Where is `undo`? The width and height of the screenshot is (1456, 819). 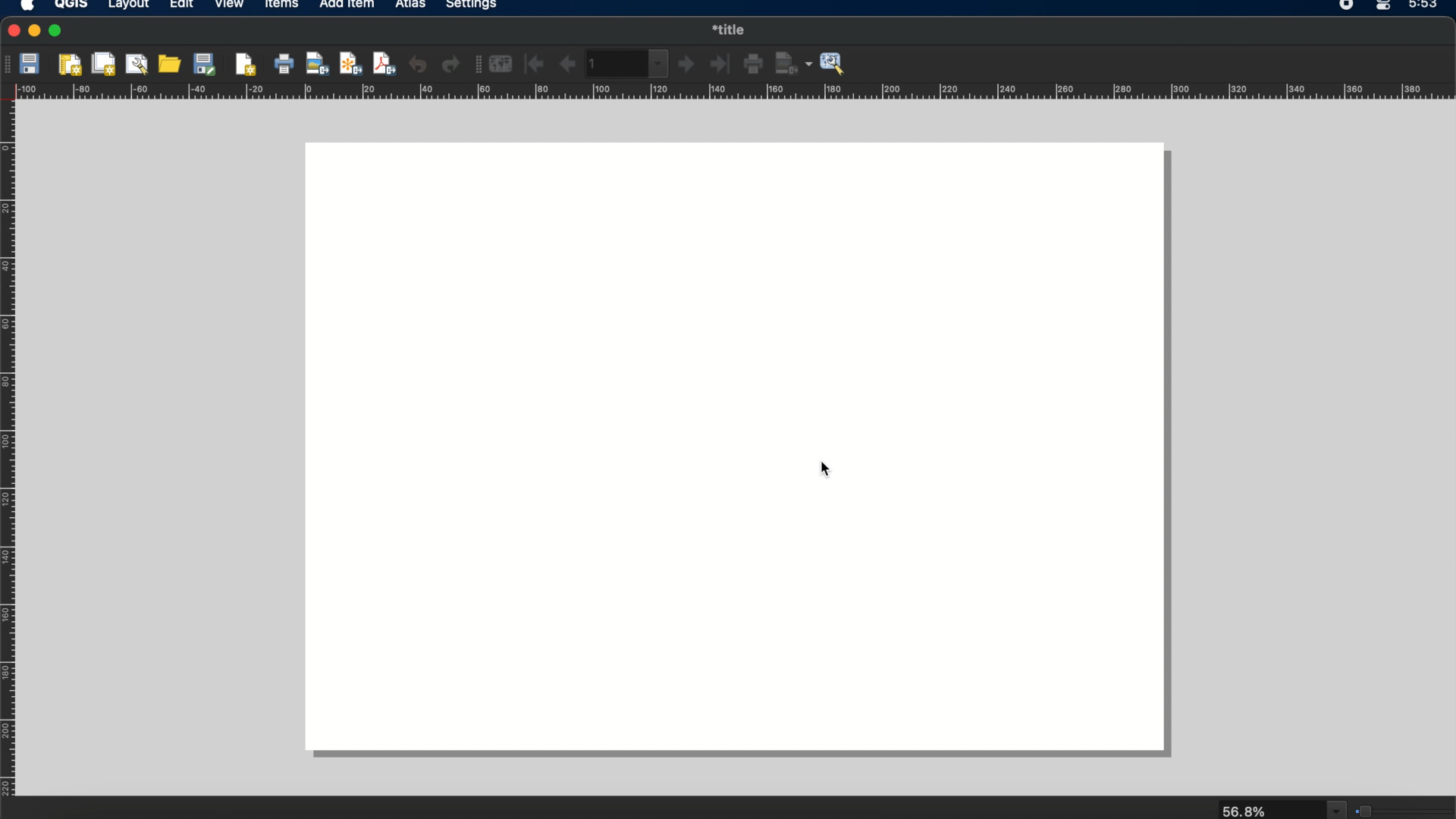
undo is located at coordinates (417, 63).